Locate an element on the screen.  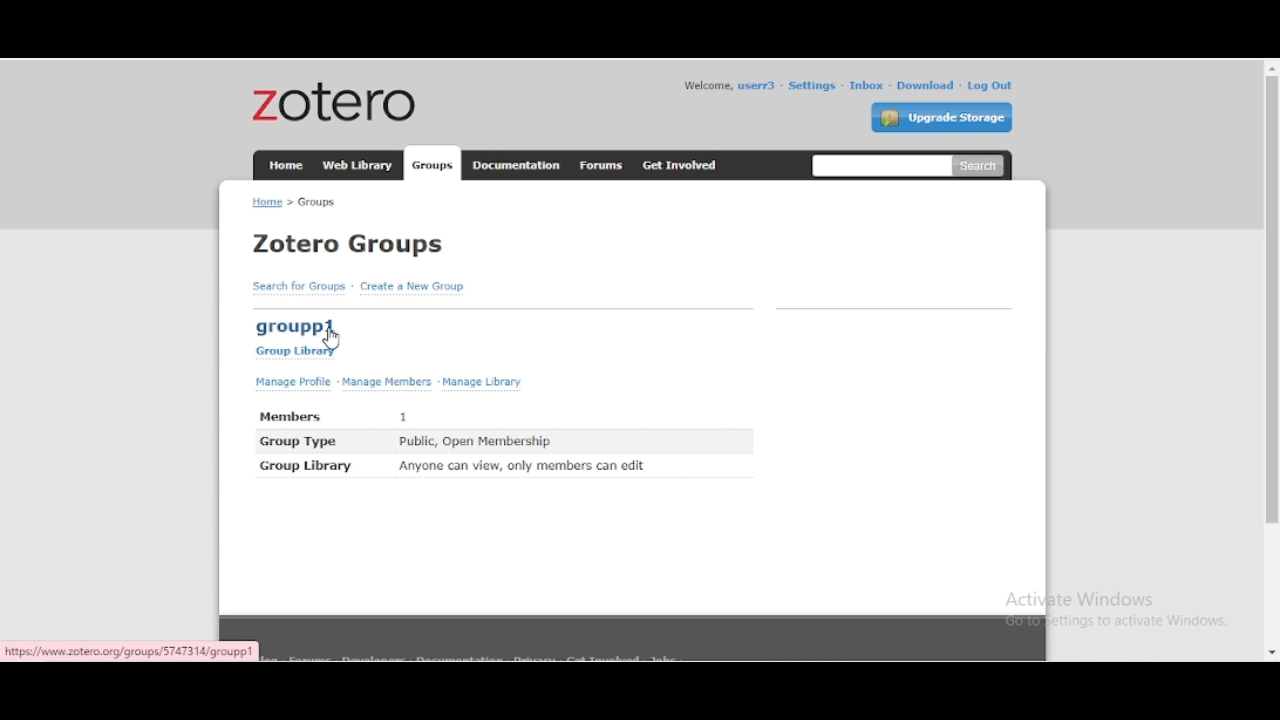
manage profile is located at coordinates (295, 382).